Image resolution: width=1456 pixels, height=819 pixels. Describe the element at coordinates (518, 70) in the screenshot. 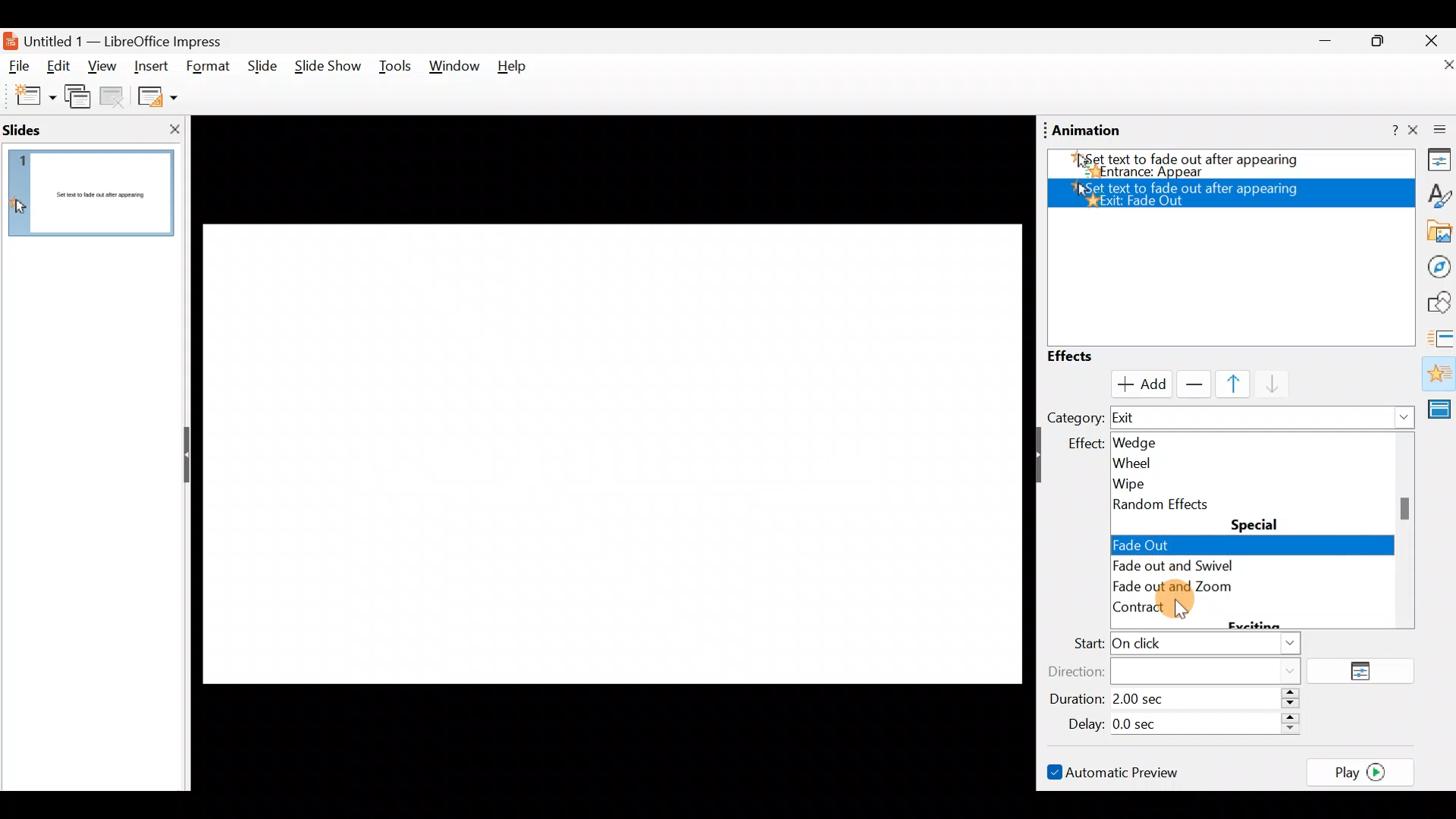

I see `Help` at that location.